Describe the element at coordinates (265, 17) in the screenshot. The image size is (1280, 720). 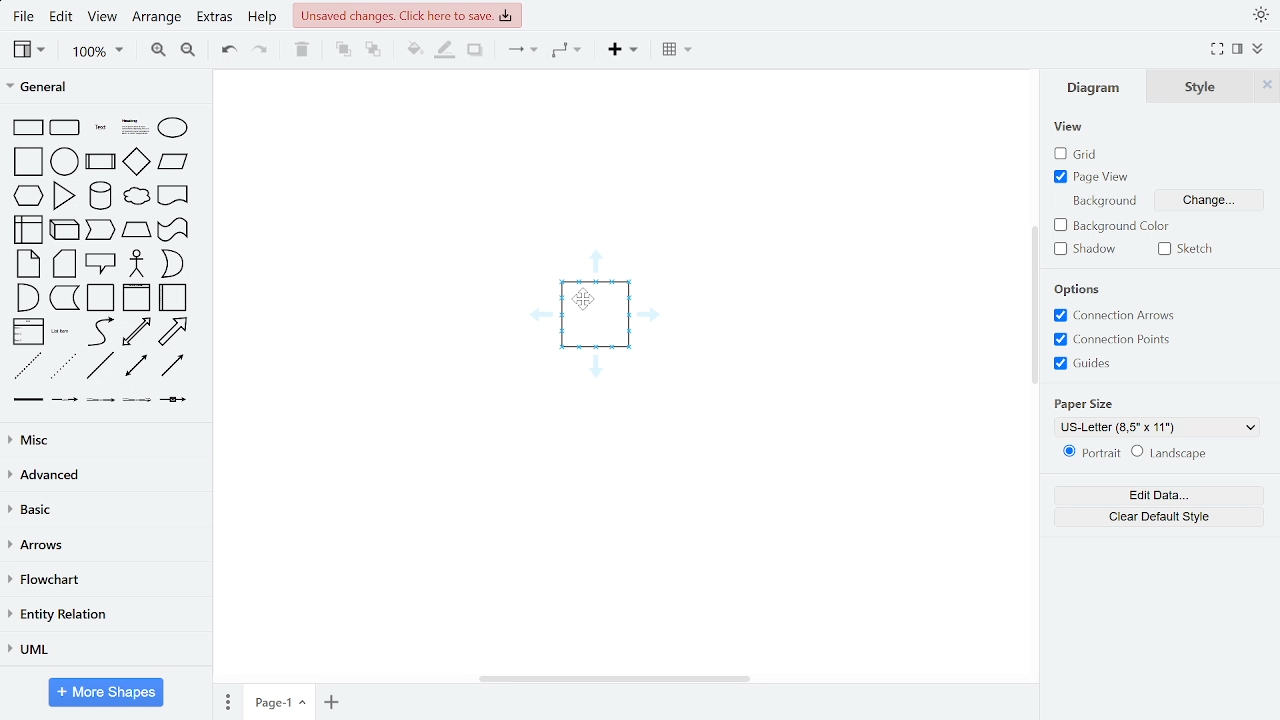
I see `help` at that location.